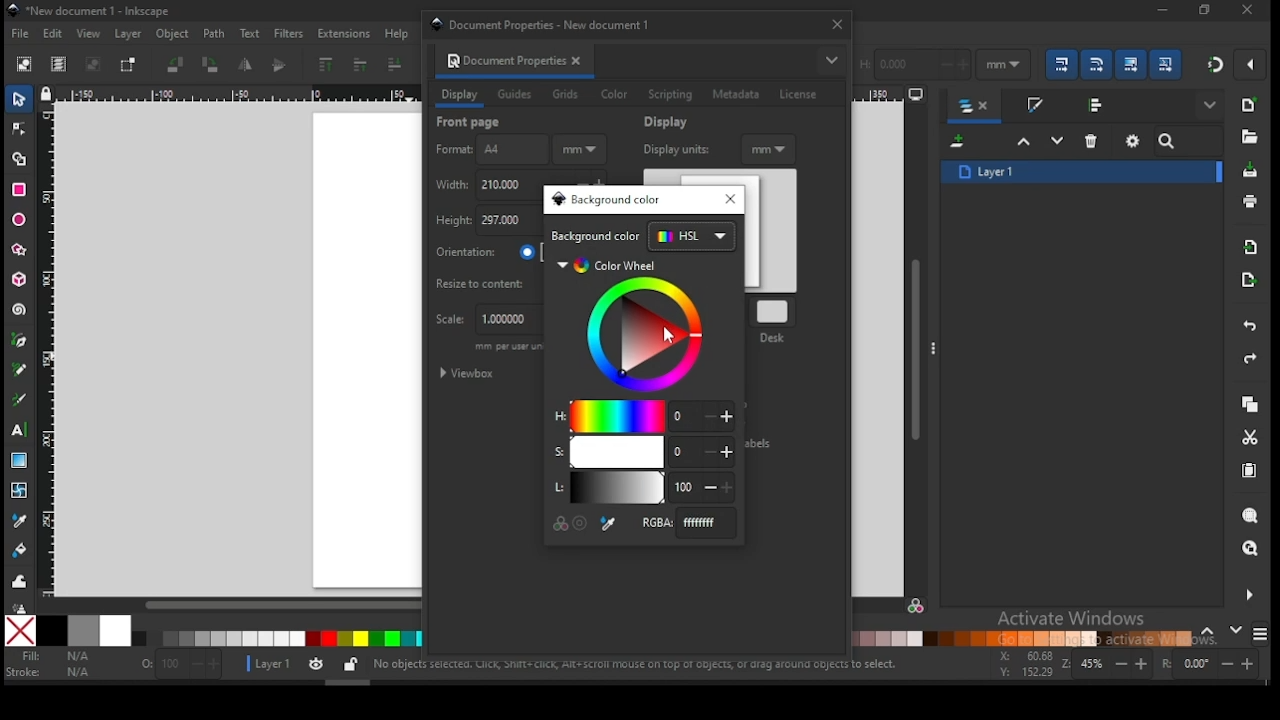 This screenshot has width=1280, height=720. Describe the element at coordinates (20, 430) in the screenshot. I see `text tool` at that location.